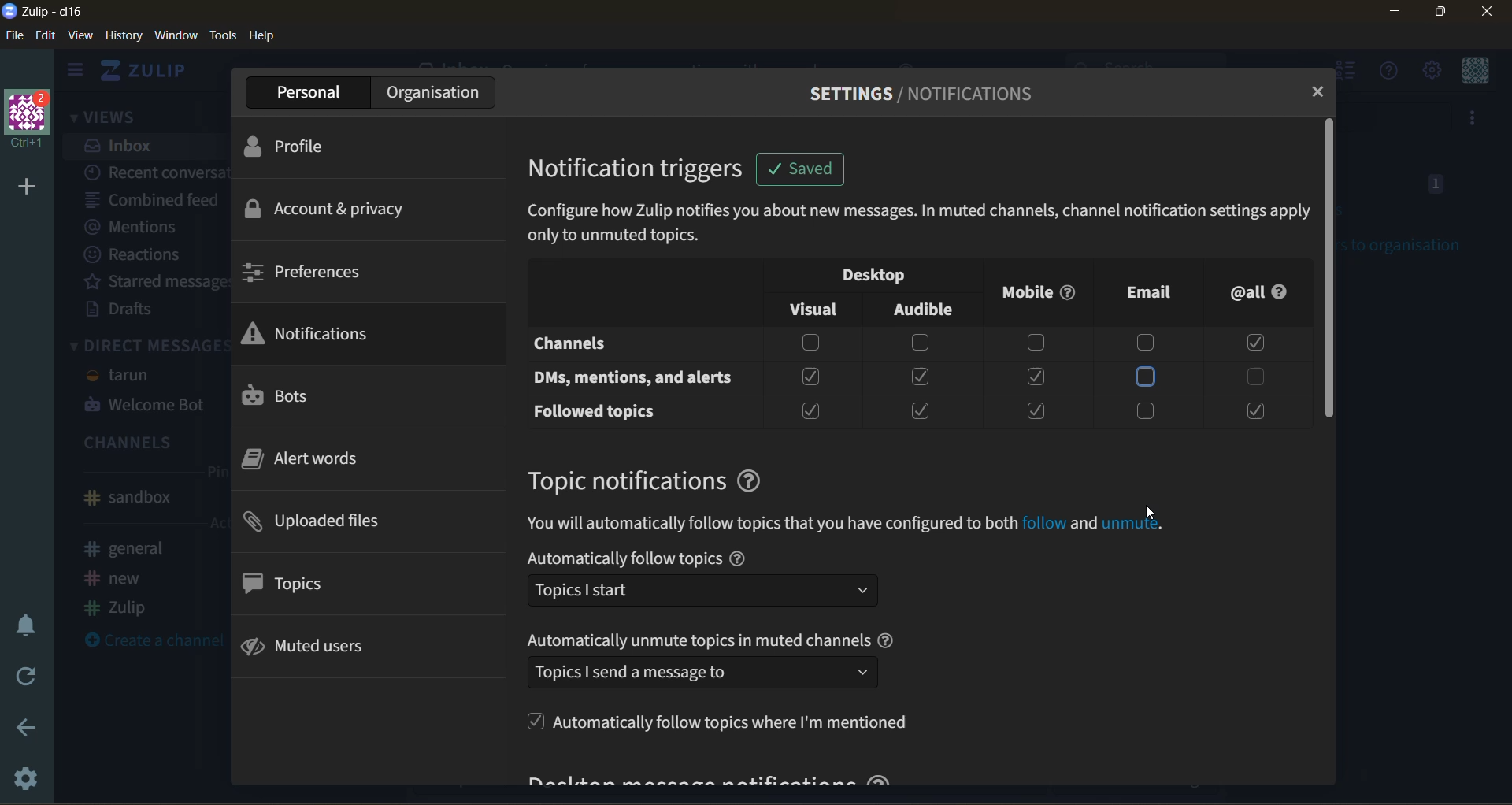  I want to click on checkbox, so click(1034, 342).